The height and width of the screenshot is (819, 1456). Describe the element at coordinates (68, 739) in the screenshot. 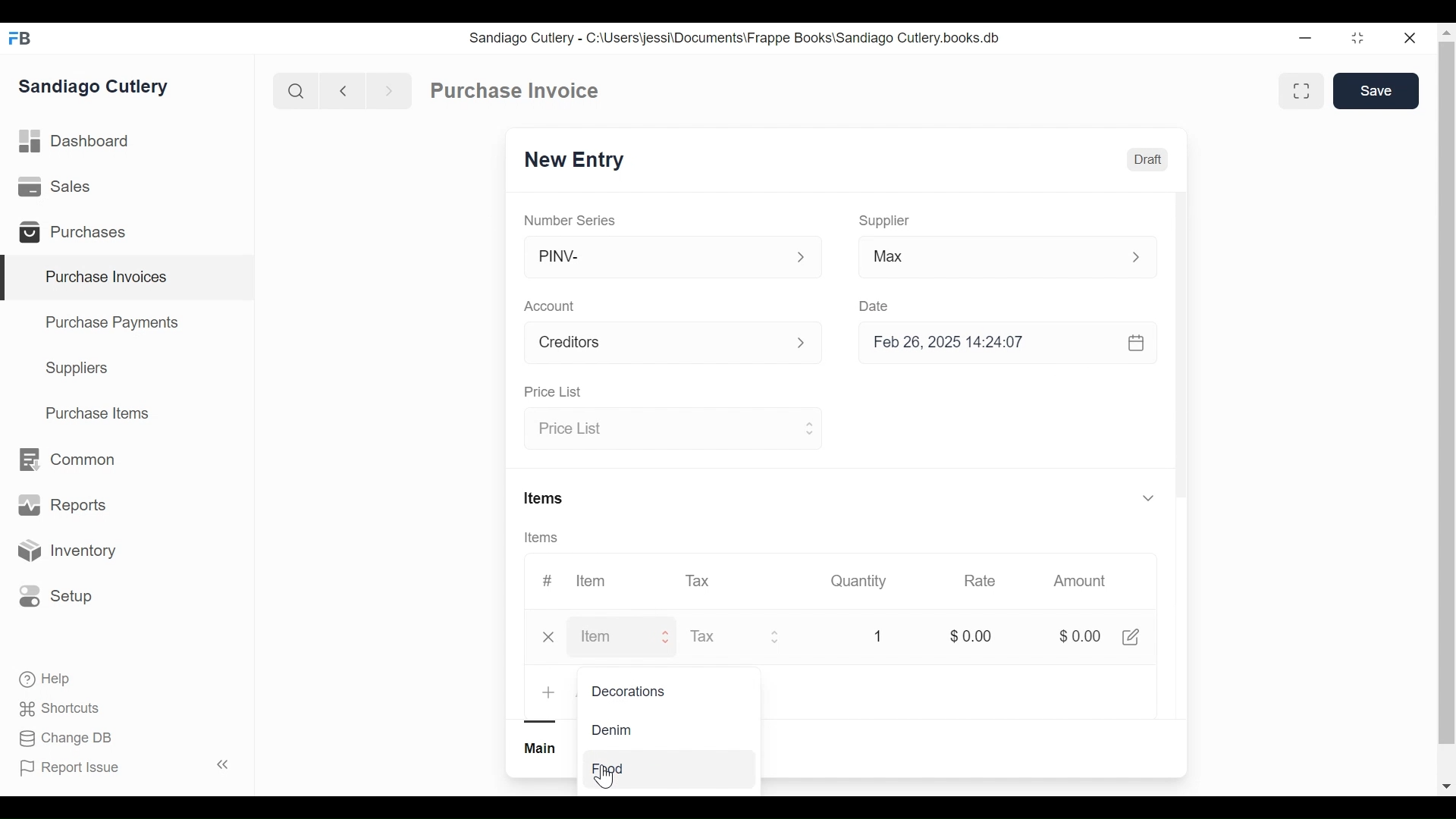

I see `Change DB` at that location.